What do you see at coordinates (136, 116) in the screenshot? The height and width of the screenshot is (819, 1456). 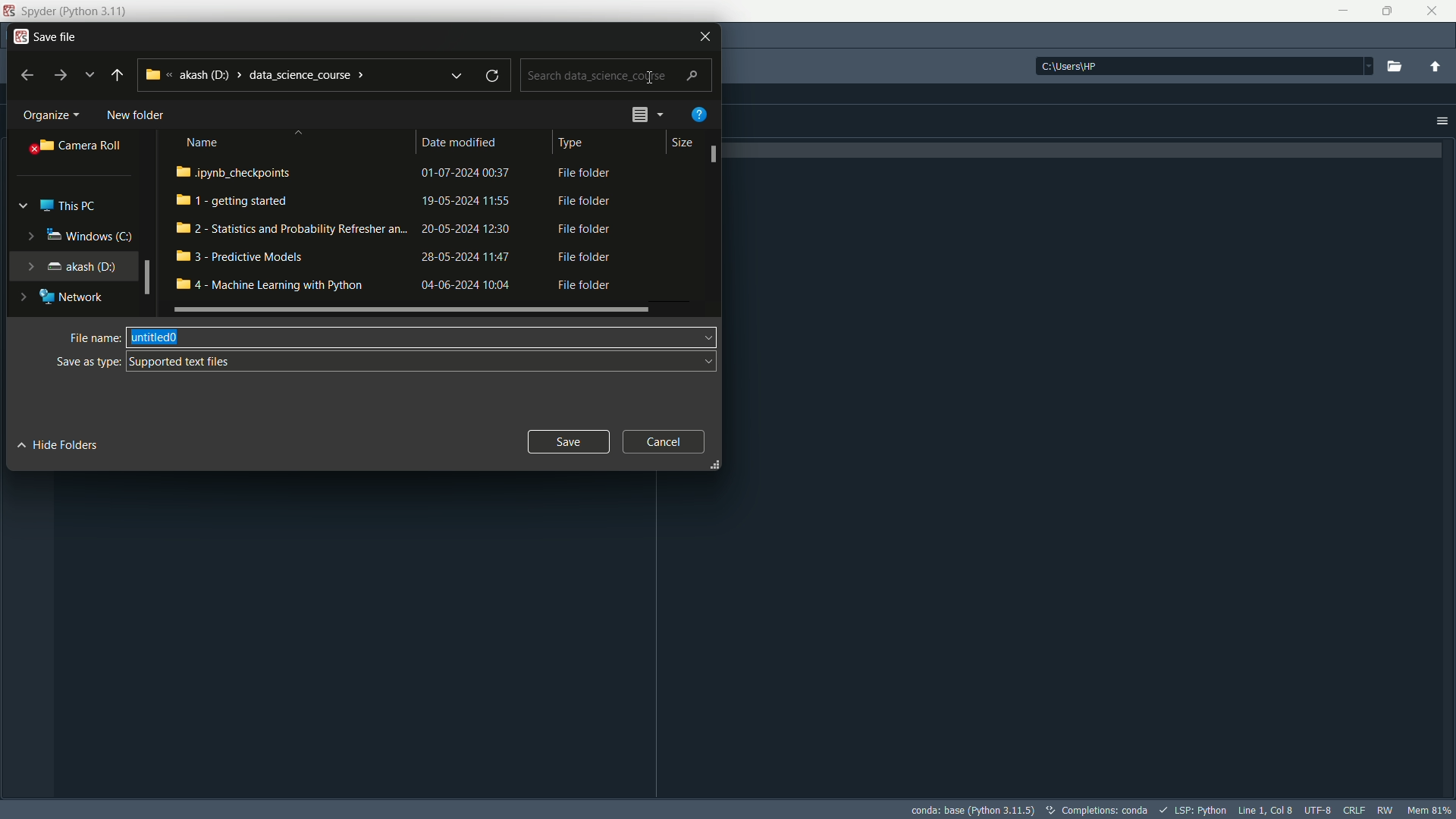 I see `new folder` at bounding box center [136, 116].